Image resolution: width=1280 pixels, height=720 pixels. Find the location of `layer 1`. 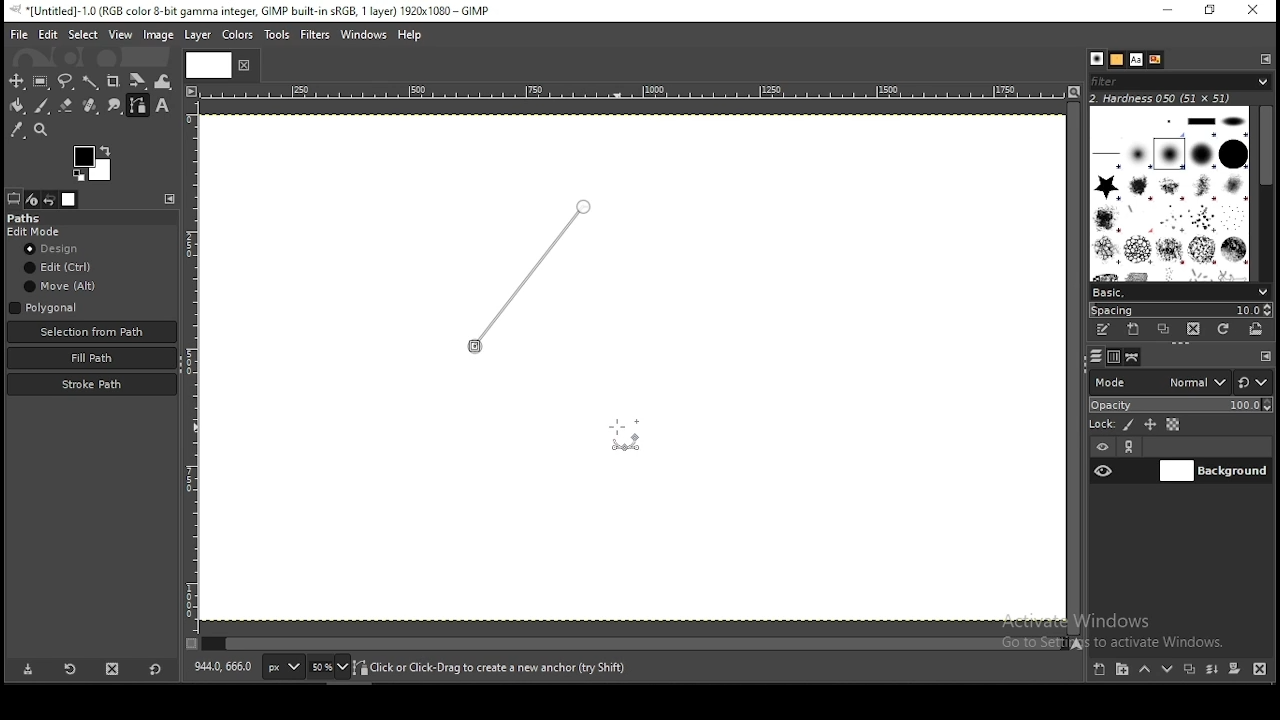

layer 1 is located at coordinates (1213, 471).